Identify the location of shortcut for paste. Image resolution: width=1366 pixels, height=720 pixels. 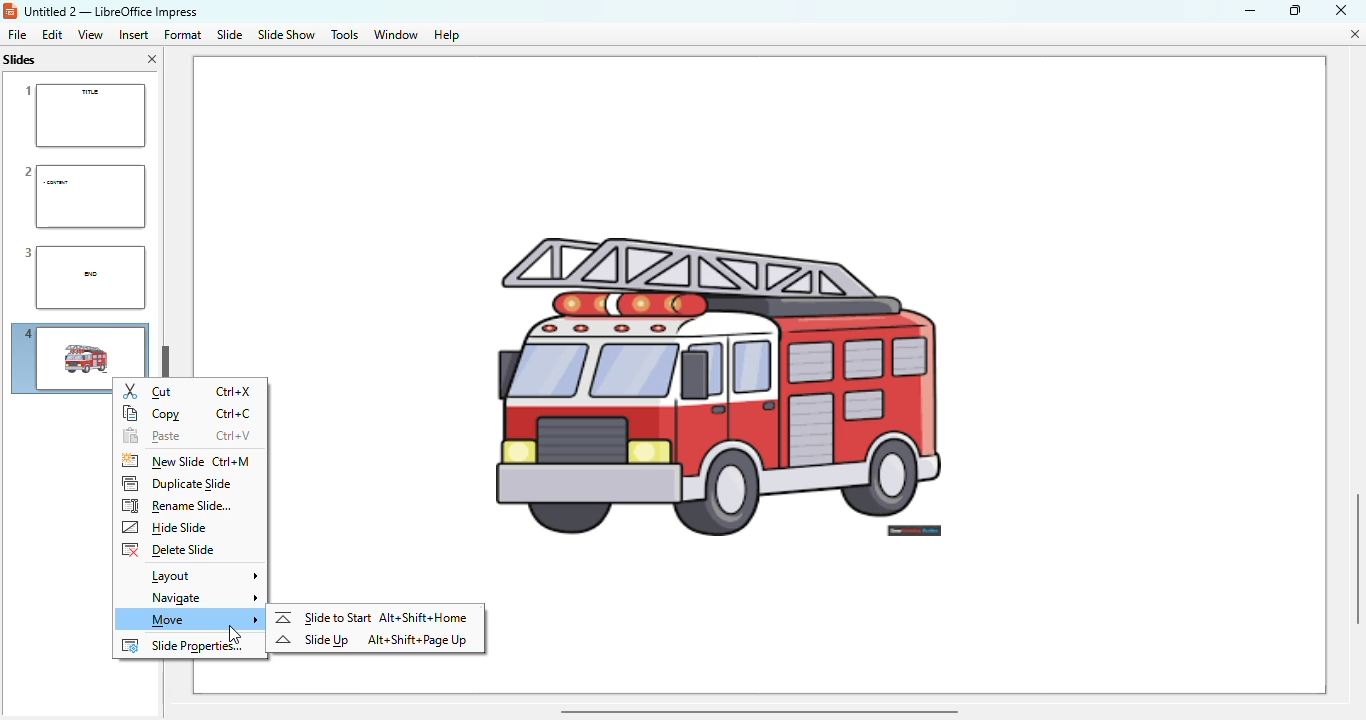
(234, 436).